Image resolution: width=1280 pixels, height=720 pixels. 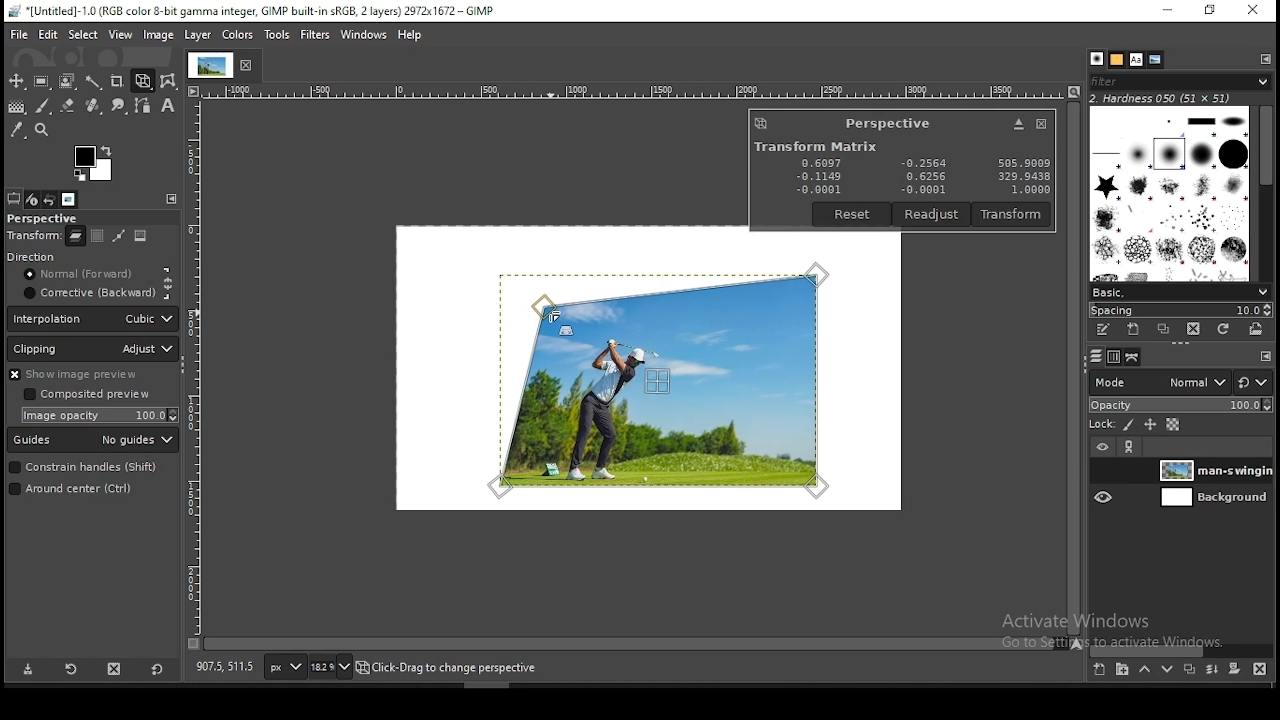 What do you see at coordinates (119, 35) in the screenshot?
I see `view` at bounding box center [119, 35].